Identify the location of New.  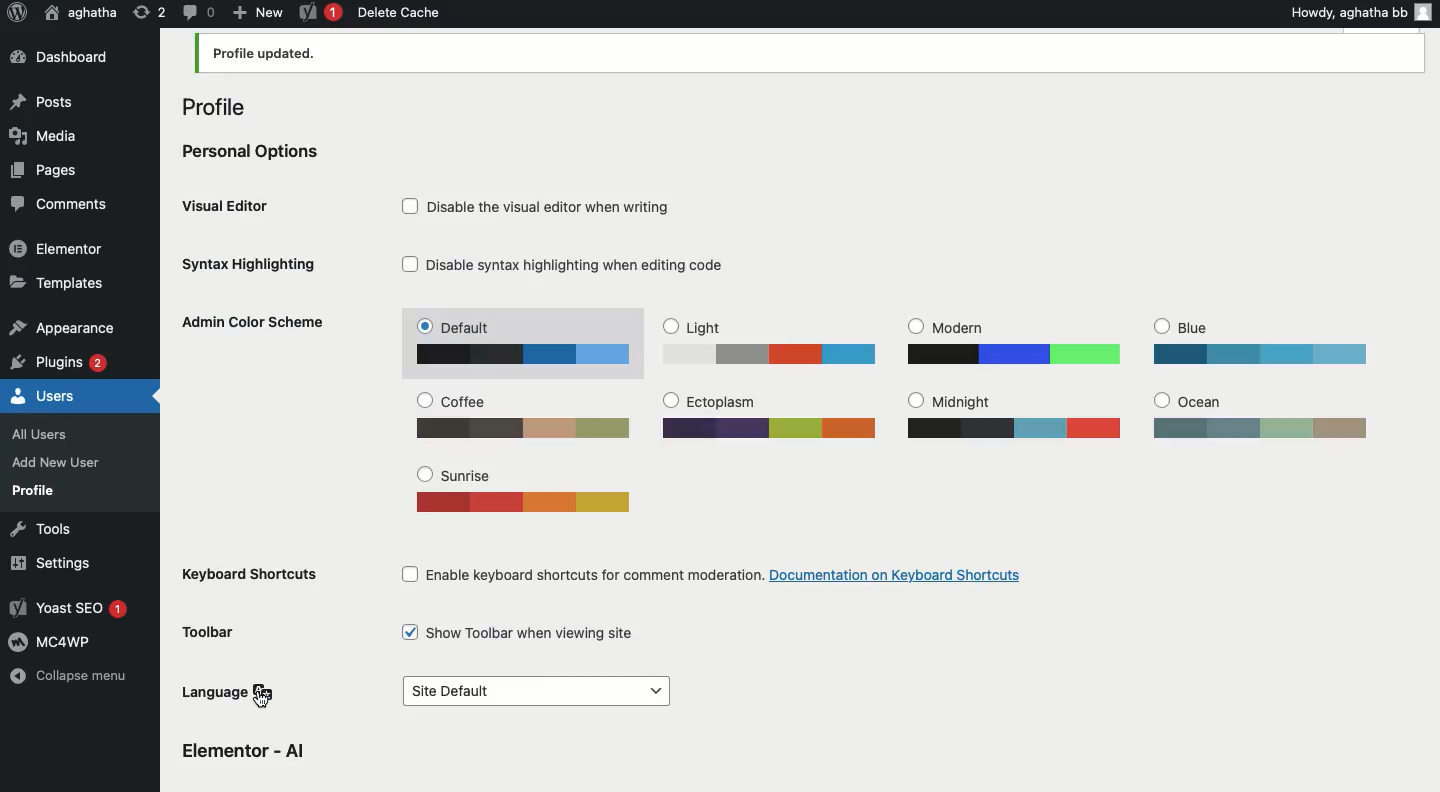
(257, 11).